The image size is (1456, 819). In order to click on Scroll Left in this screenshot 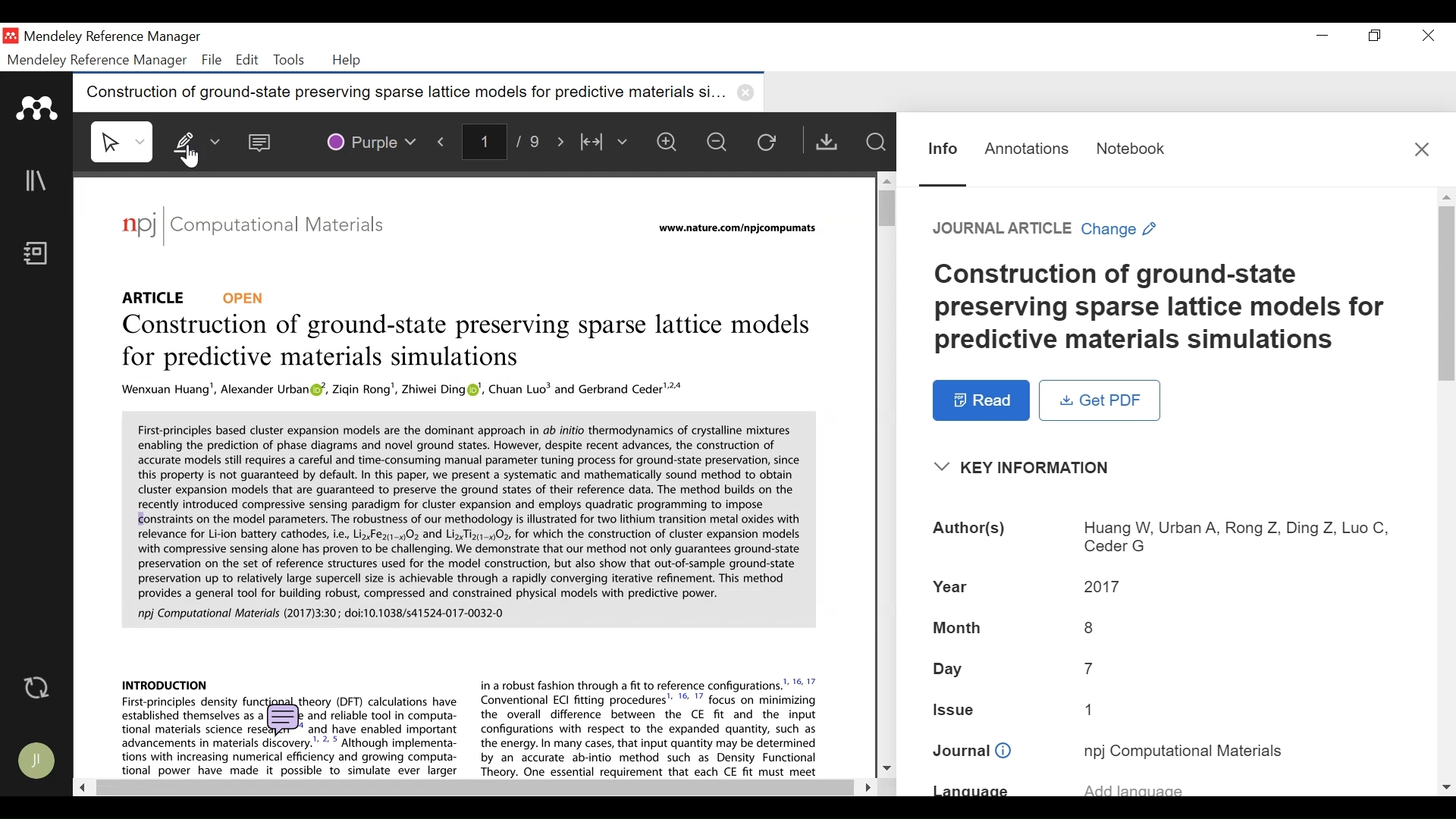, I will do `click(80, 786)`.